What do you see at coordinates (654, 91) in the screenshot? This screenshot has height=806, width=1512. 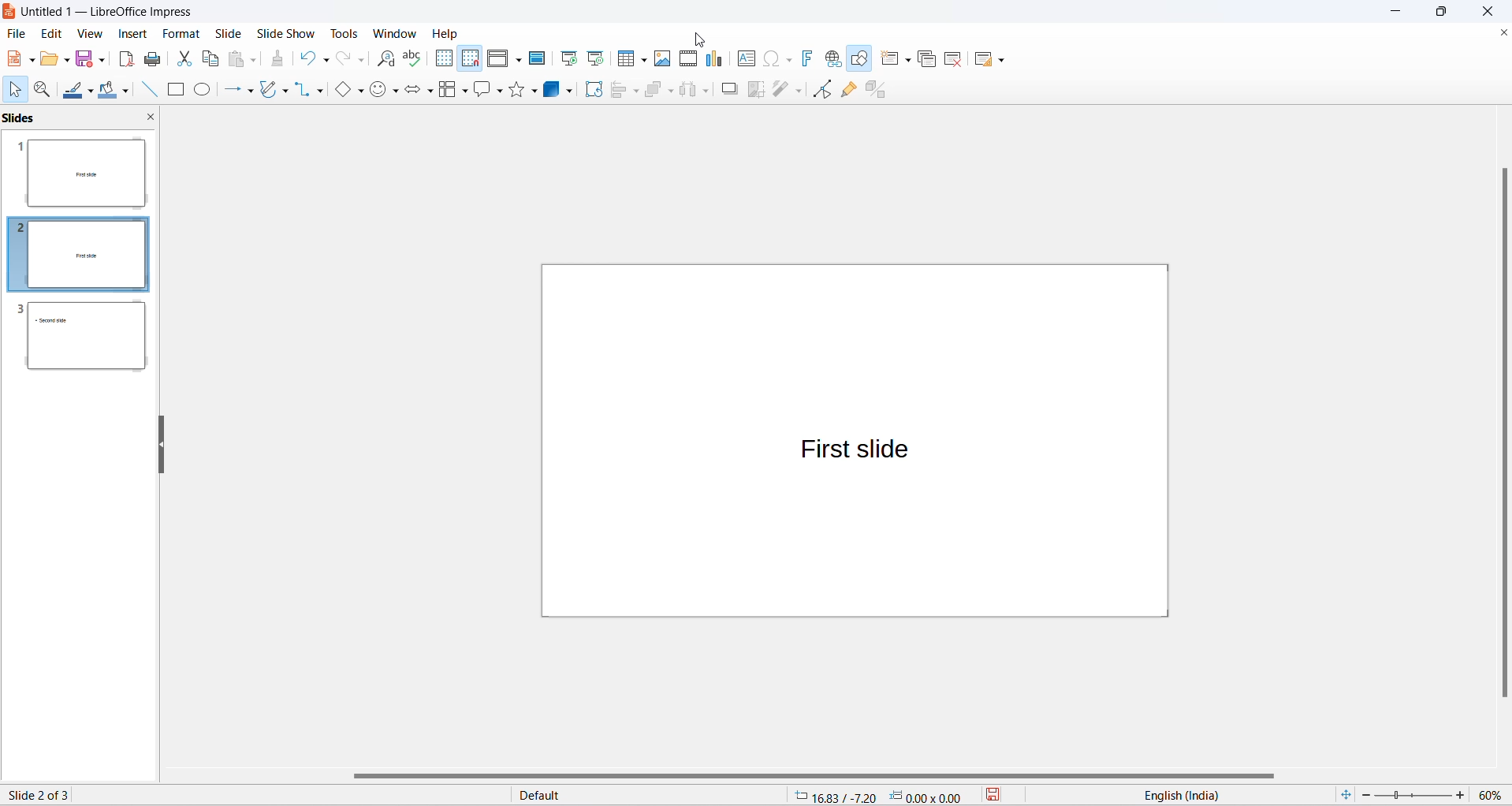 I see `arrange` at bounding box center [654, 91].